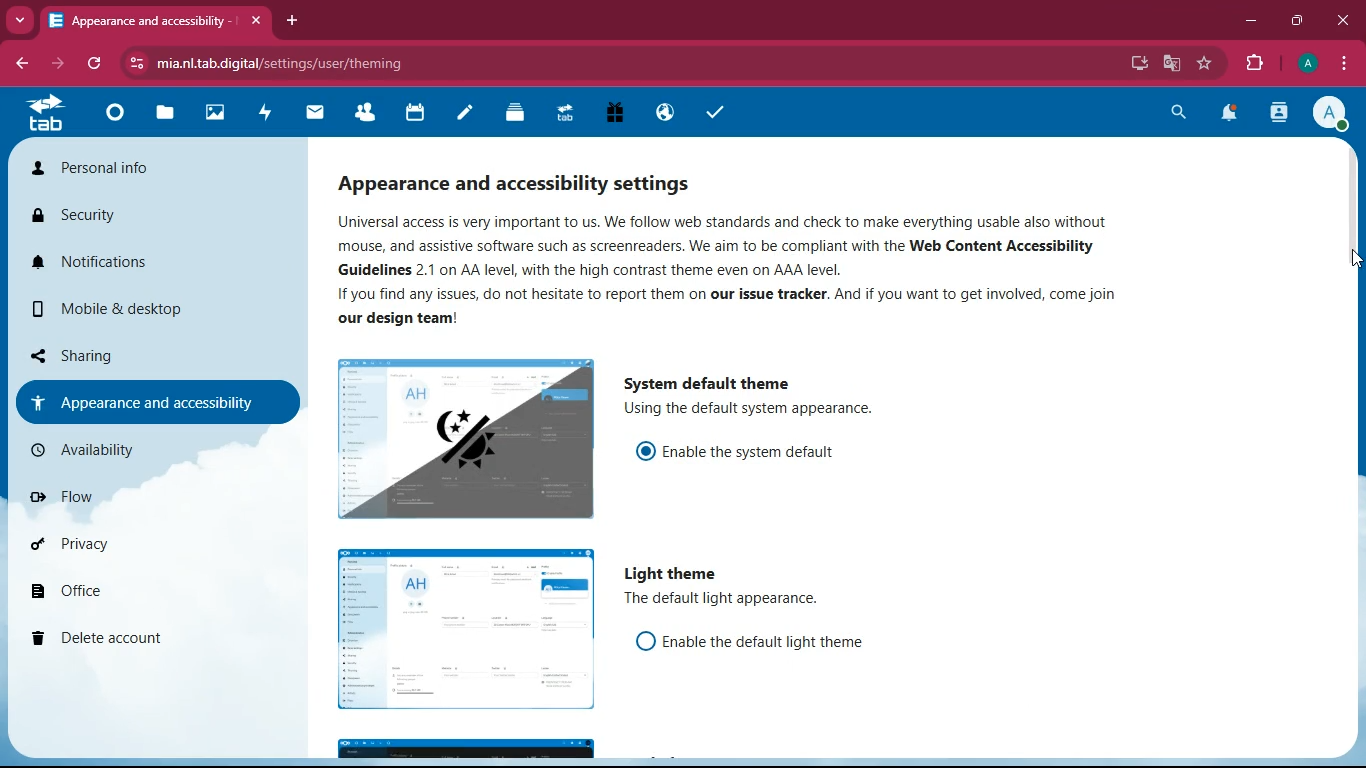 This screenshot has height=768, width=1366. I want to click on maximize, so click(1300, 19).